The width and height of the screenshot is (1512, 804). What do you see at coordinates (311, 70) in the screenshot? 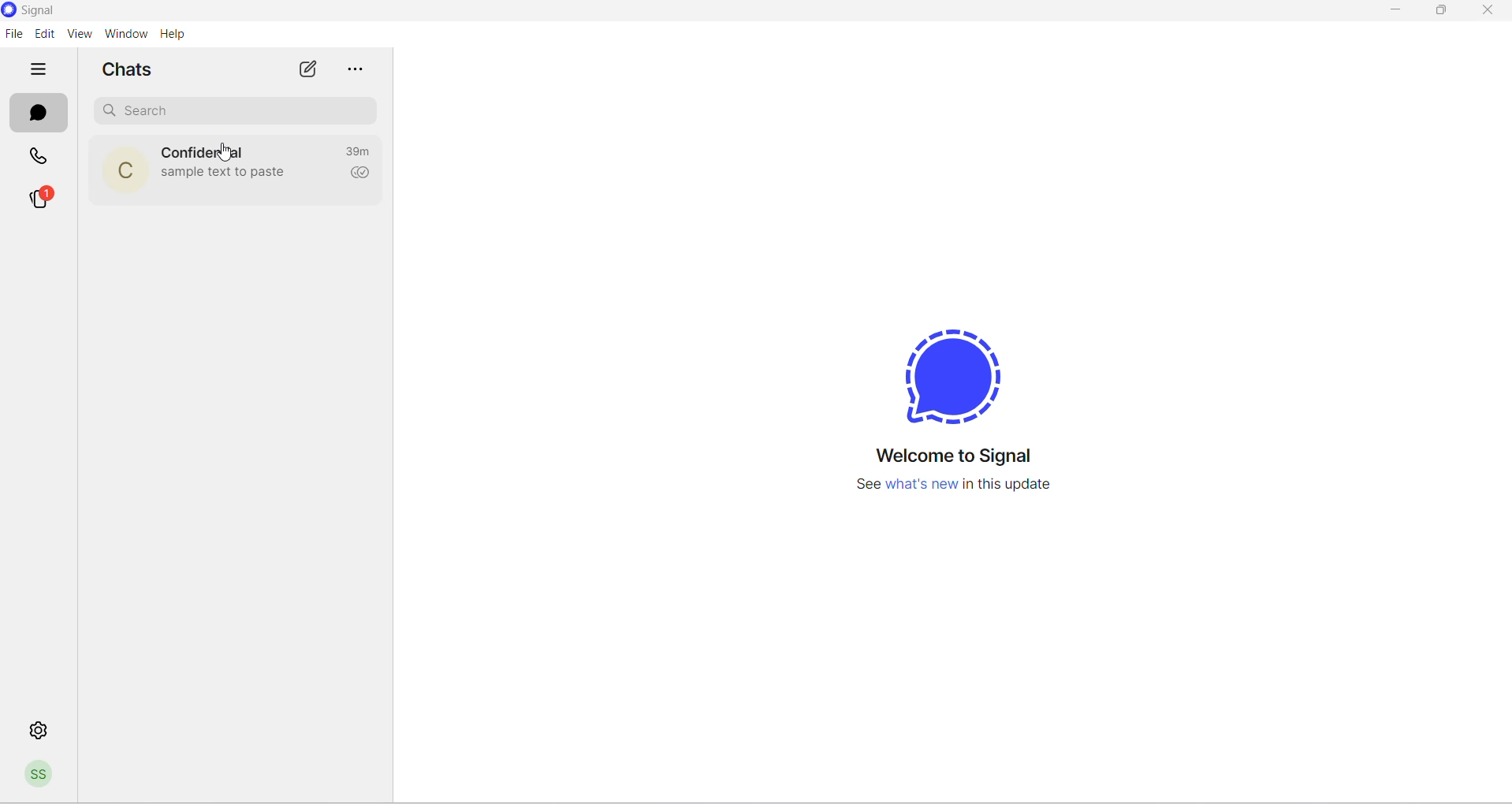
I see `new chat` at bounding box center [311, 70].